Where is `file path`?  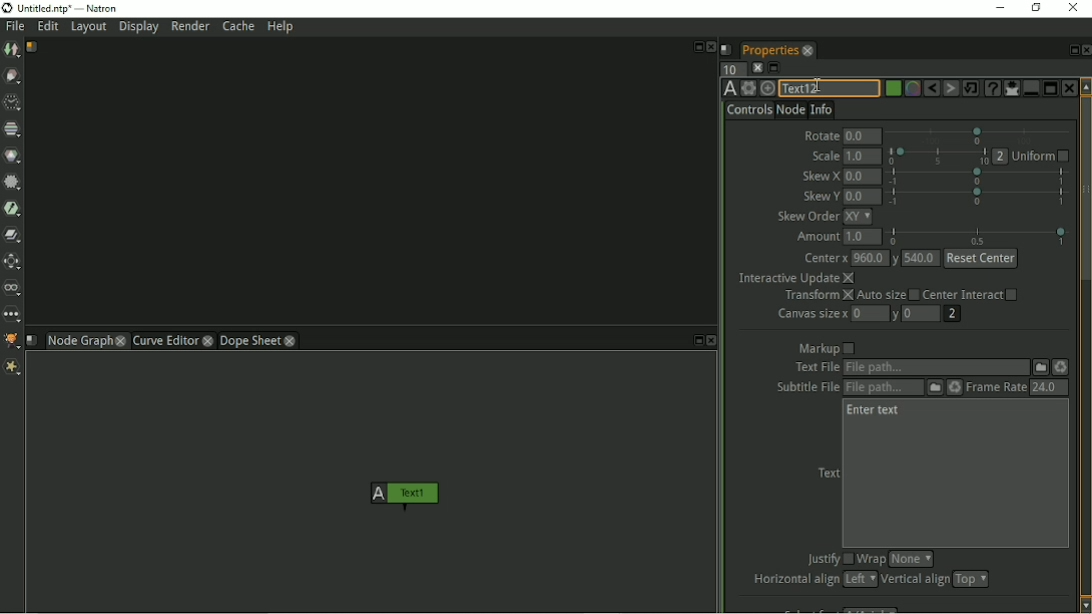
file path is located at coordinates (883, 388).